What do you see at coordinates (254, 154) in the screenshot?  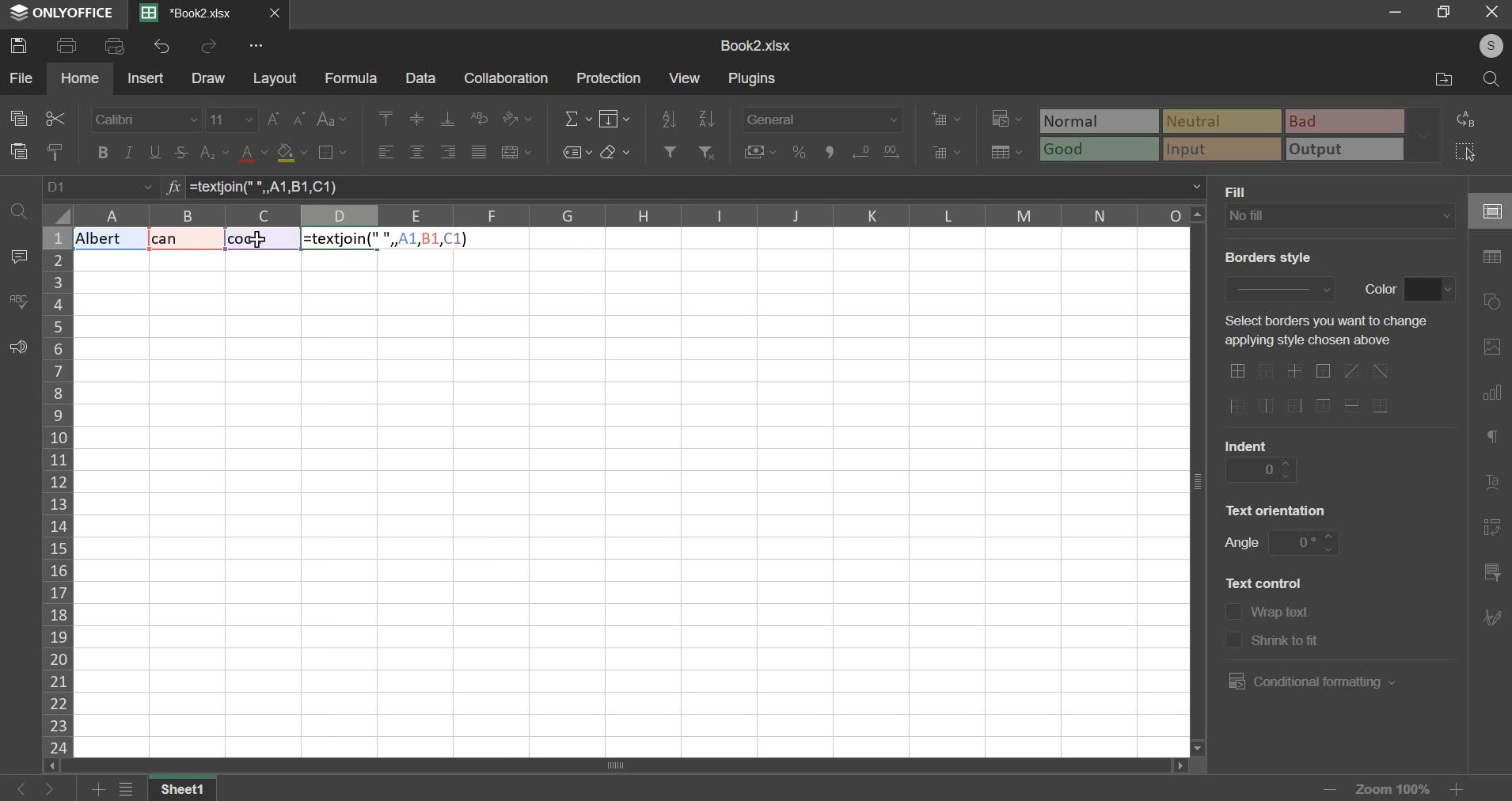 I see `text color` at bounding box center [254, 154].